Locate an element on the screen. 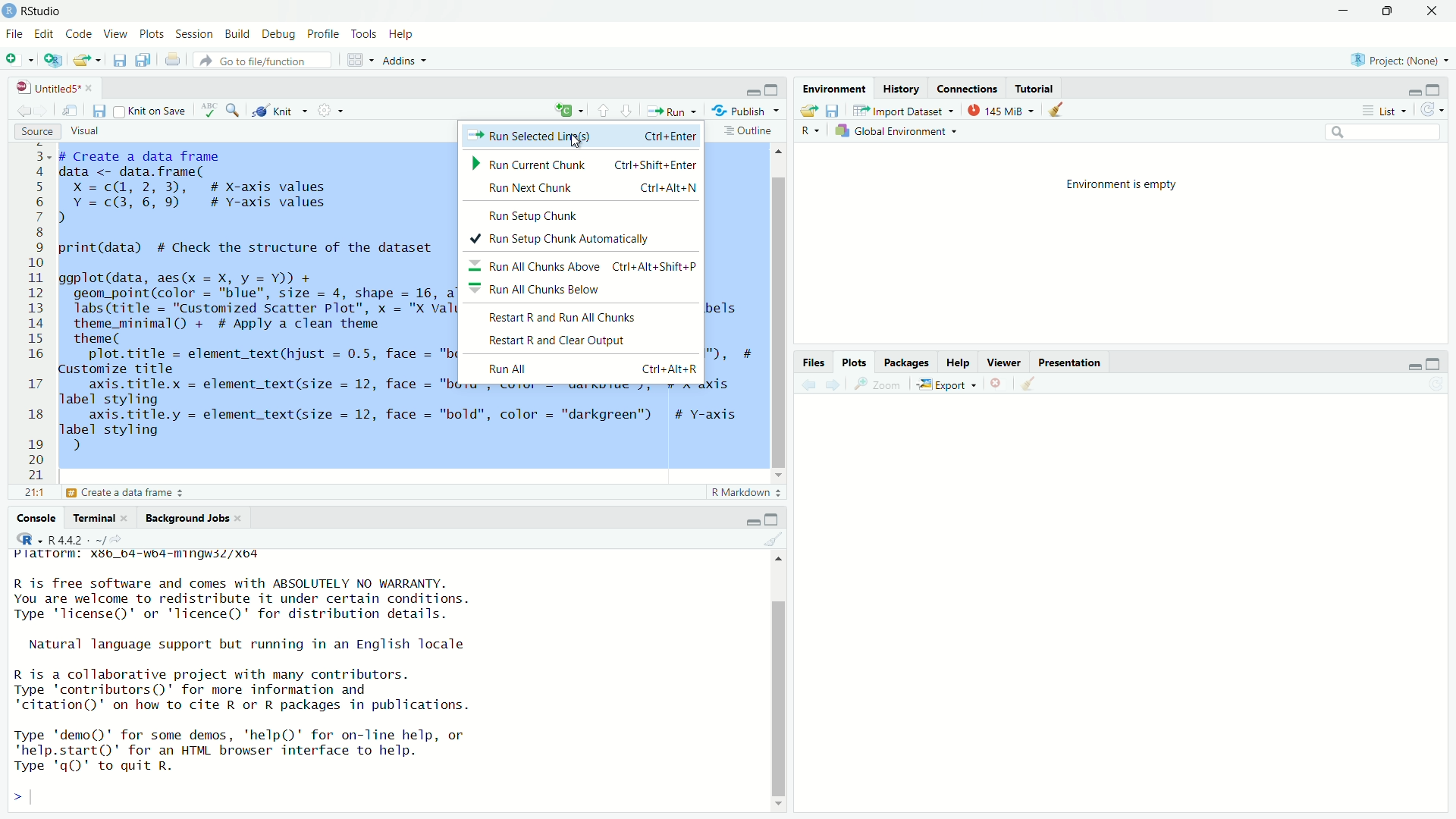 Image resolution: width=1456 pixels, height=819 pixels. Visual is located at coordinates (82, 132).